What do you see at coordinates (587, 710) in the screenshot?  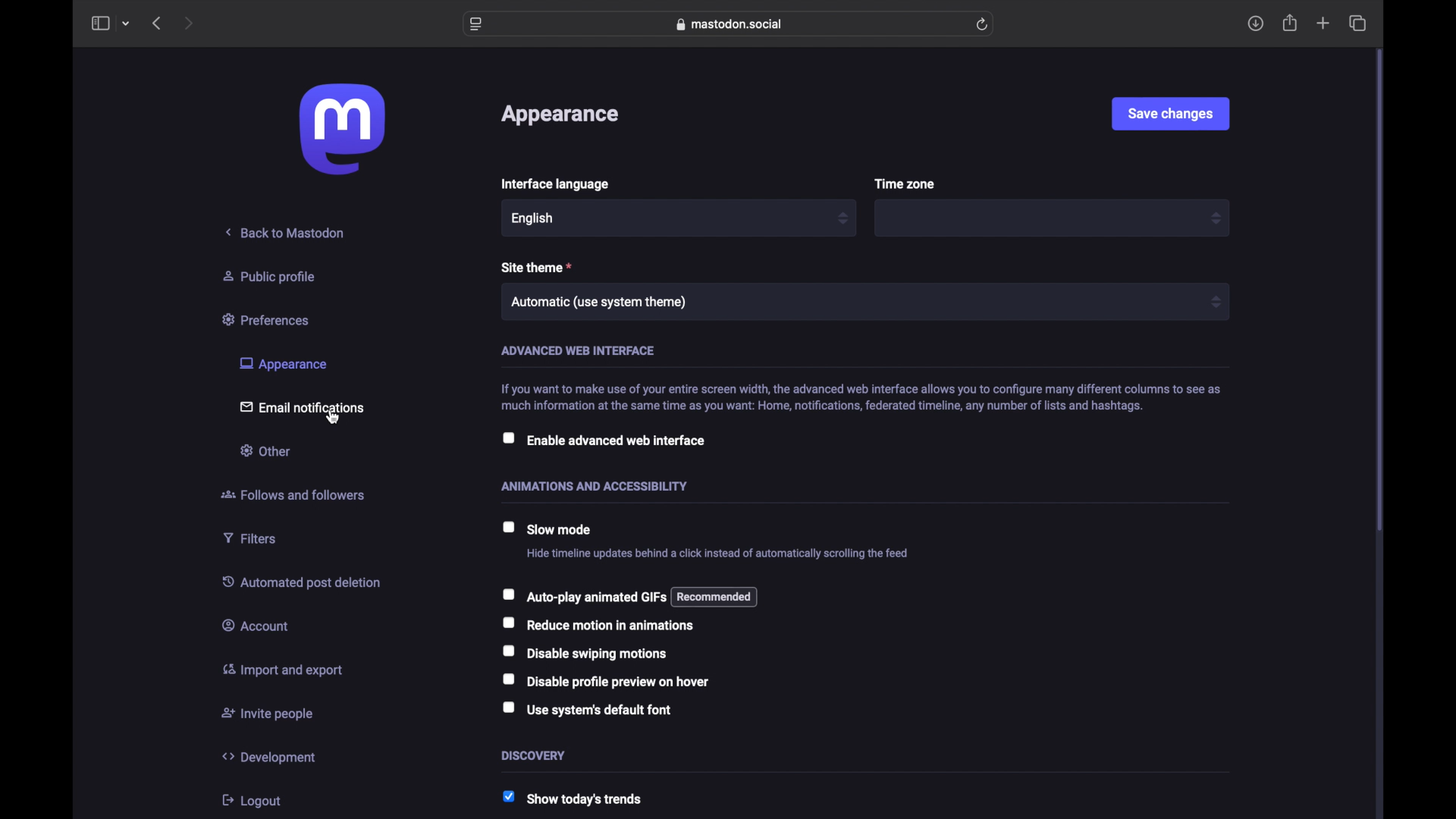 I see `checkbox` at bounding box center [587, 710].